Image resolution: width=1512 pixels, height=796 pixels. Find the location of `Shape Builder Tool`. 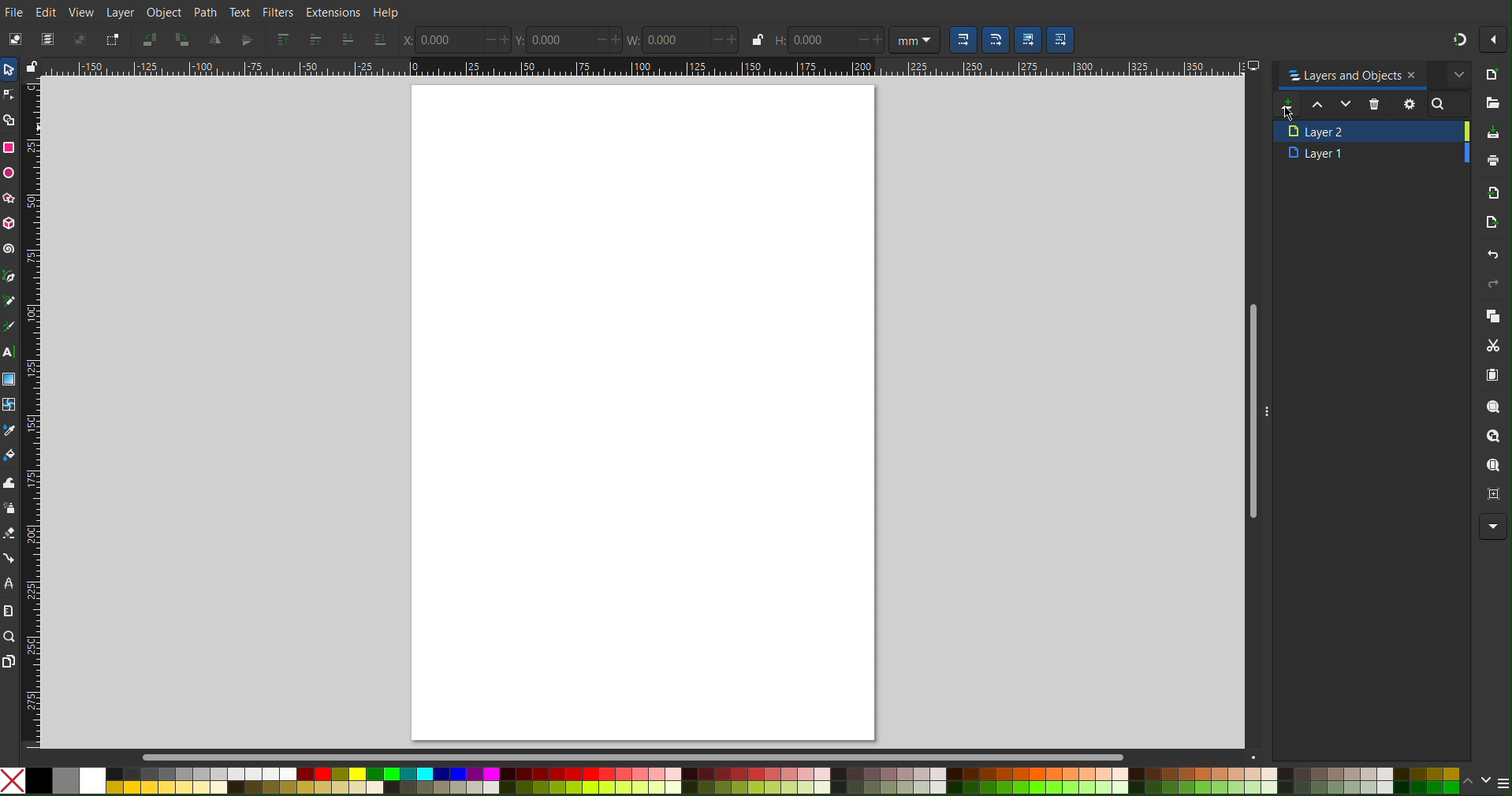

Shape Builder Tool is located at coordinates (13, 120).